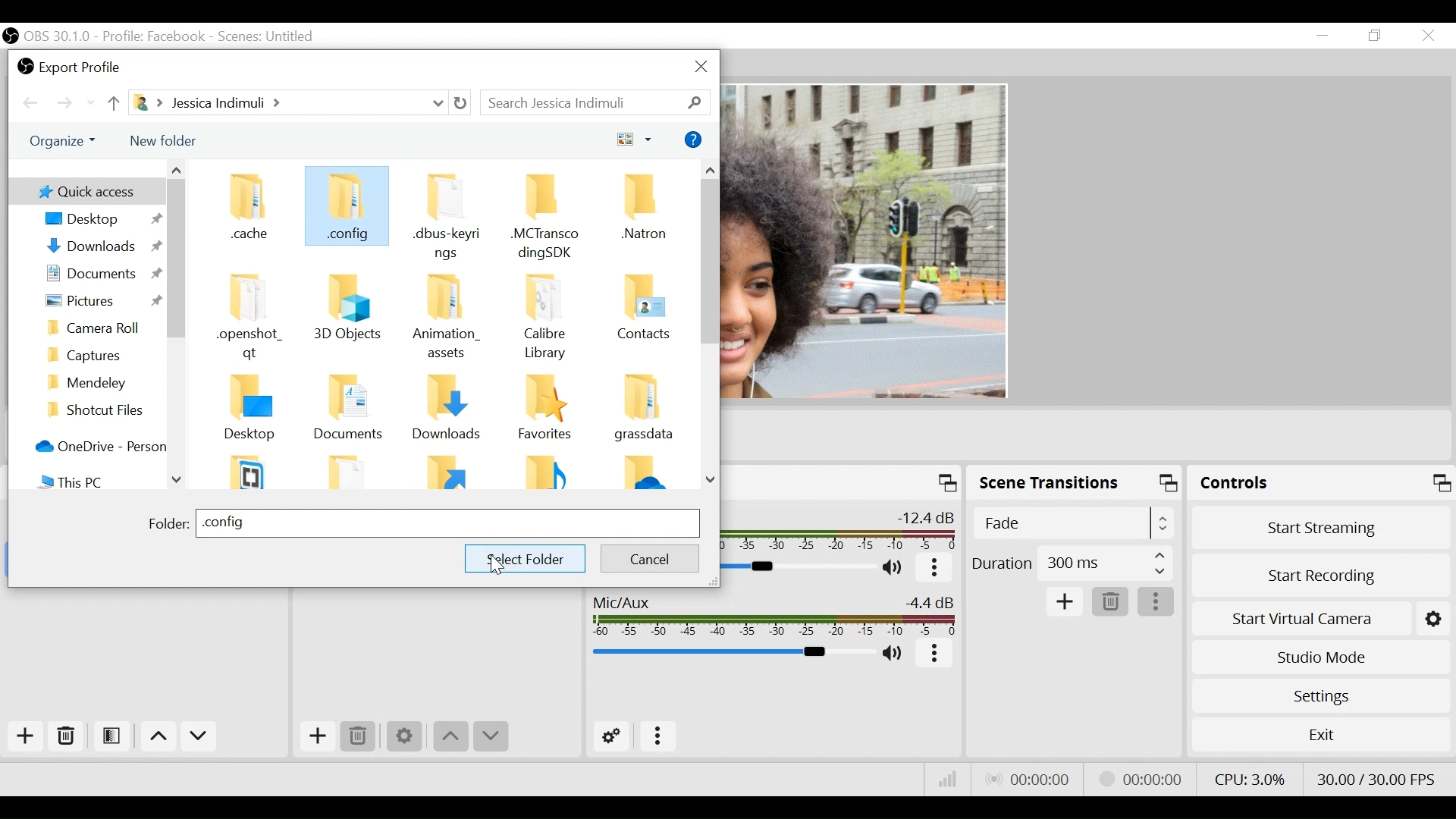 The width and height of the screenshot is (1456, 819). I want to click on Exit, so click(1319, 733).